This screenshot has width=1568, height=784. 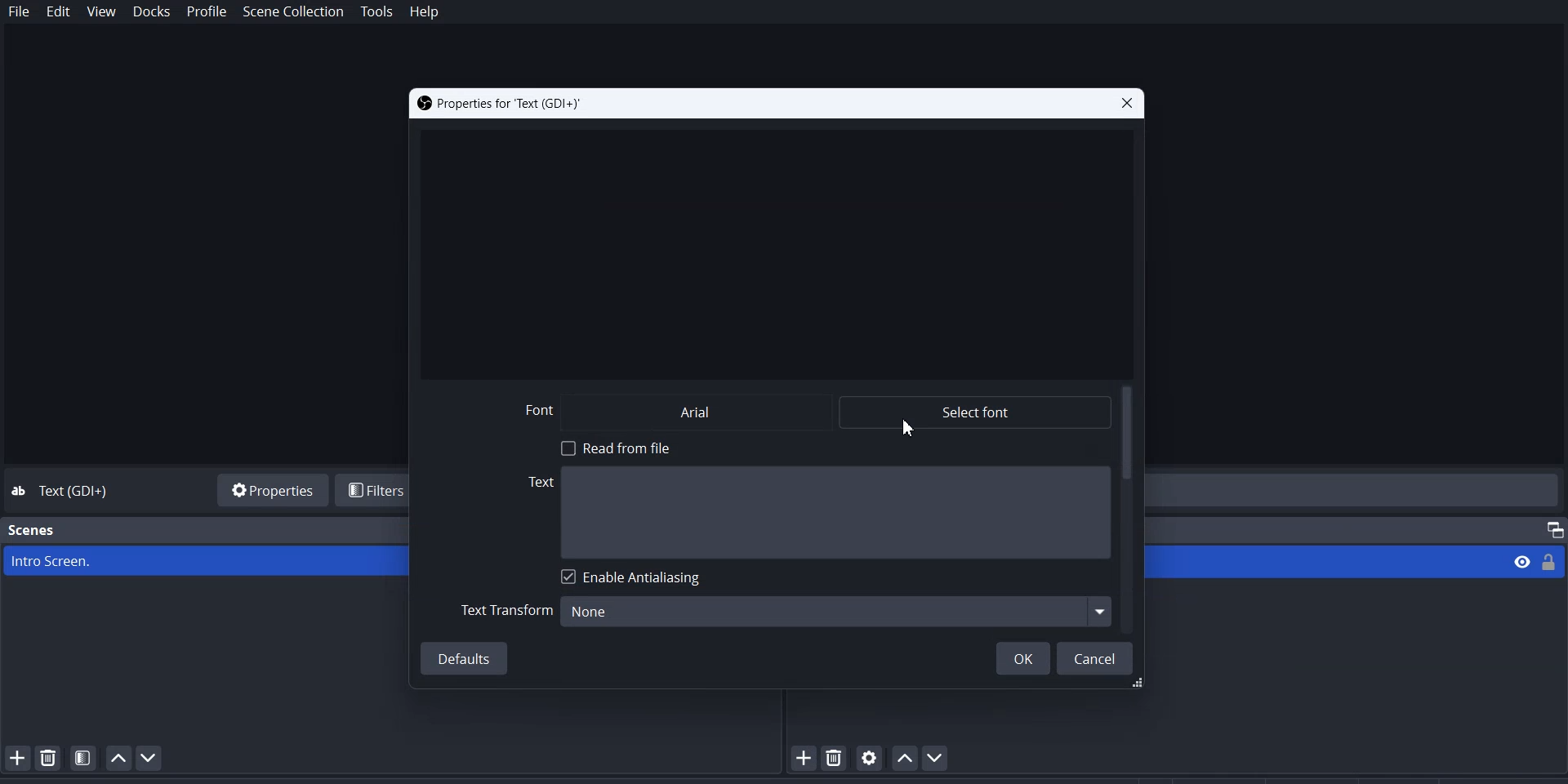 I want to click on Add Scene, so click(x=15, y=757).